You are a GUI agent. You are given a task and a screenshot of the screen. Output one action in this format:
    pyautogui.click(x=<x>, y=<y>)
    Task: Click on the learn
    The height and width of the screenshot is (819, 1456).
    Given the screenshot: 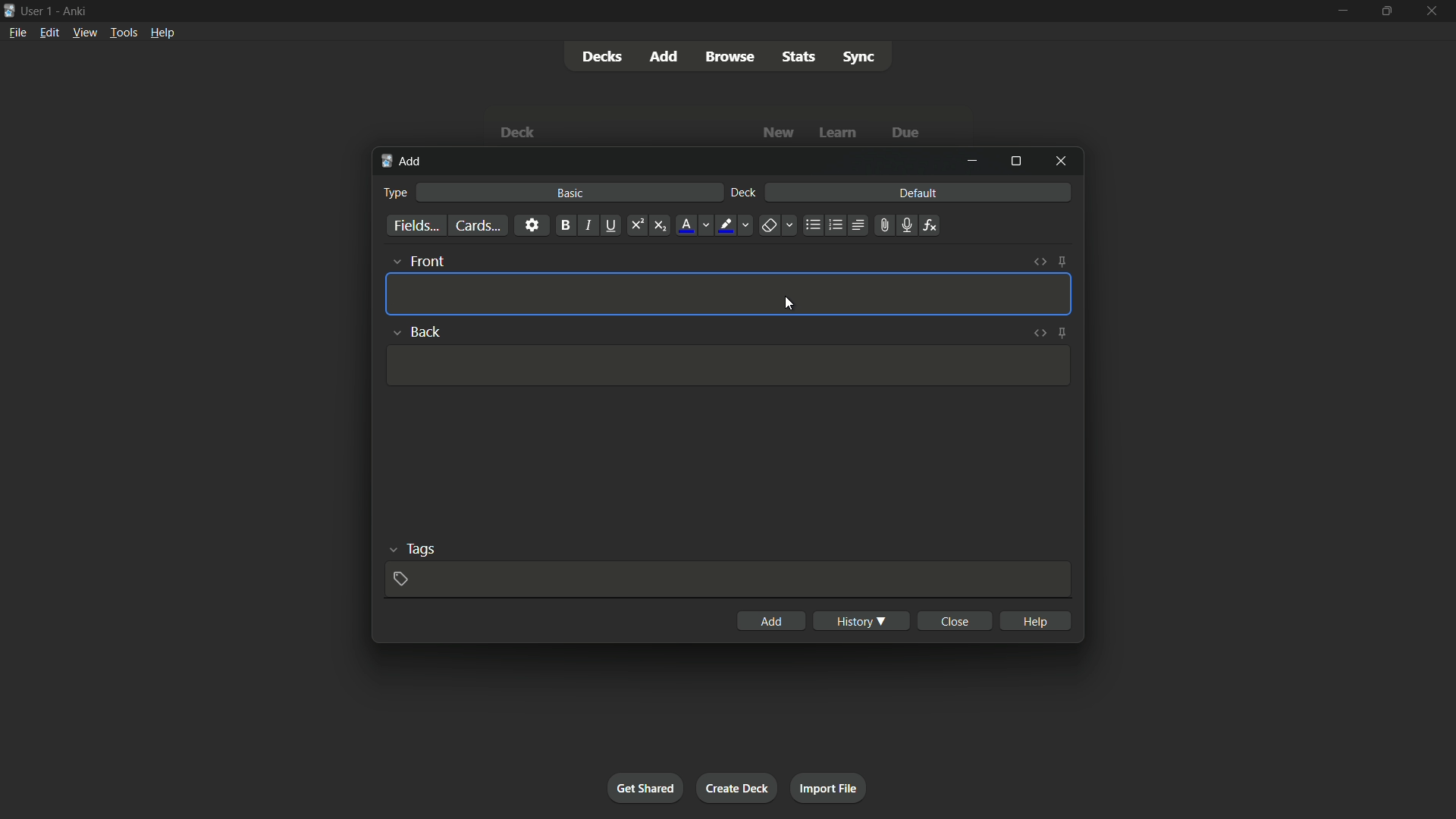 What is the action you would take?
    pyautogui.click(x=838, y=133)
    